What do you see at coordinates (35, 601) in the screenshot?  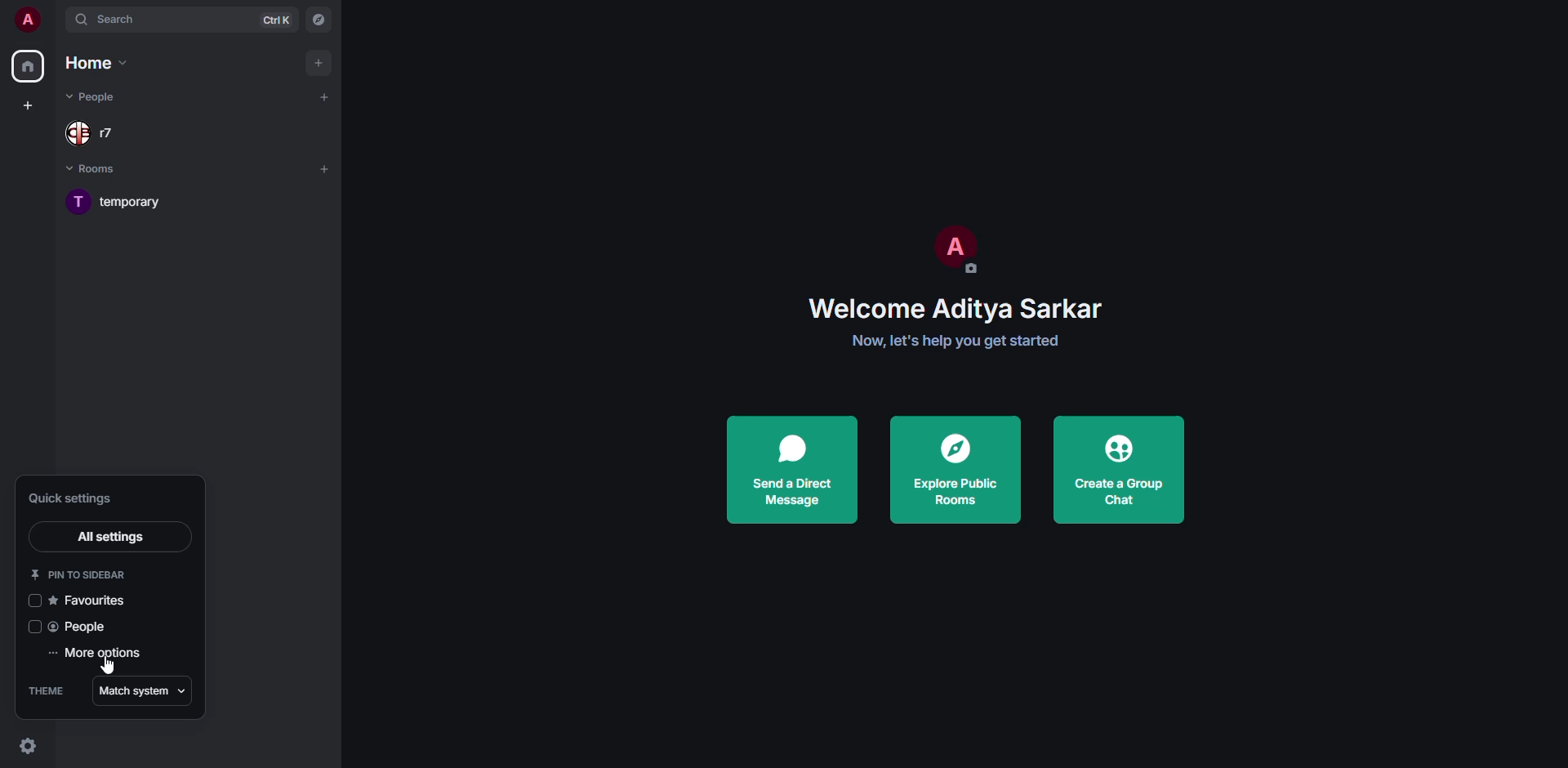 I see `click to enable` at bounding box center [35, 601].